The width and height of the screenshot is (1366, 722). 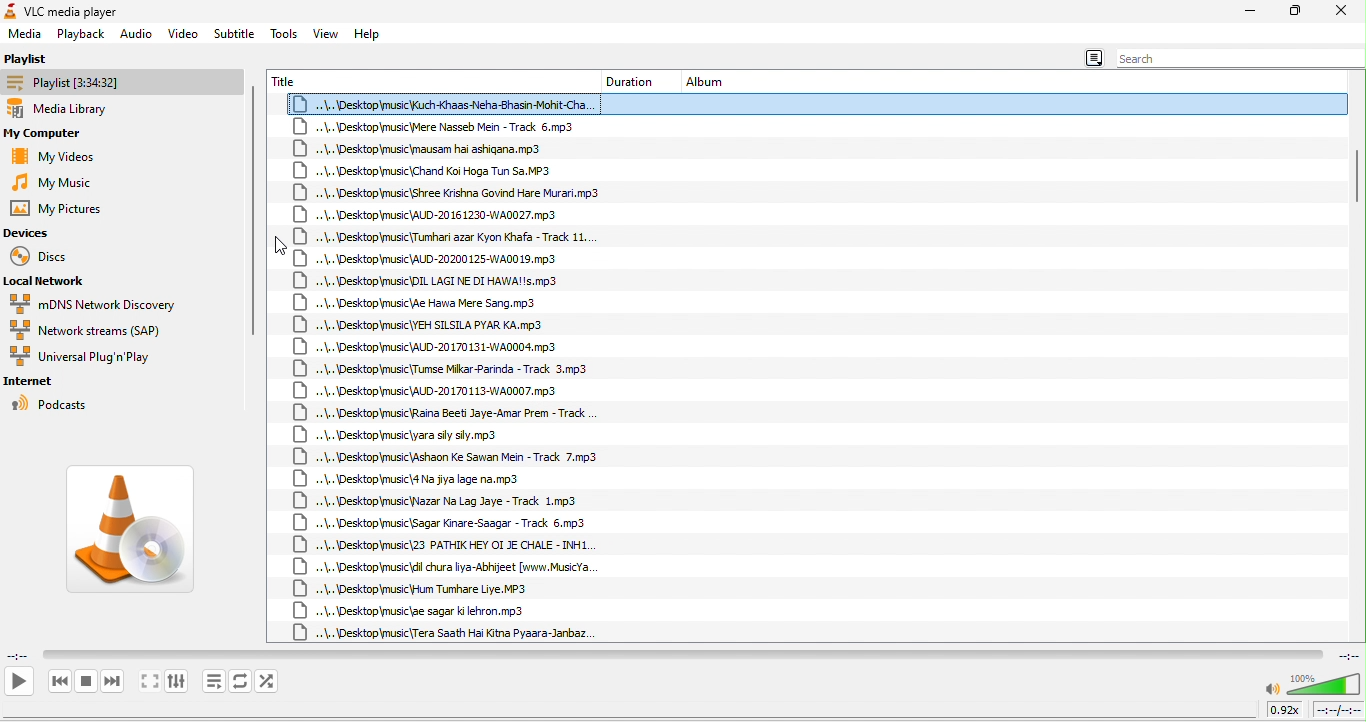 What do you see at coordinates (1356, 176) in the screenshot?
I see `vertical scroll bar` at bounding box center [1356, 176].